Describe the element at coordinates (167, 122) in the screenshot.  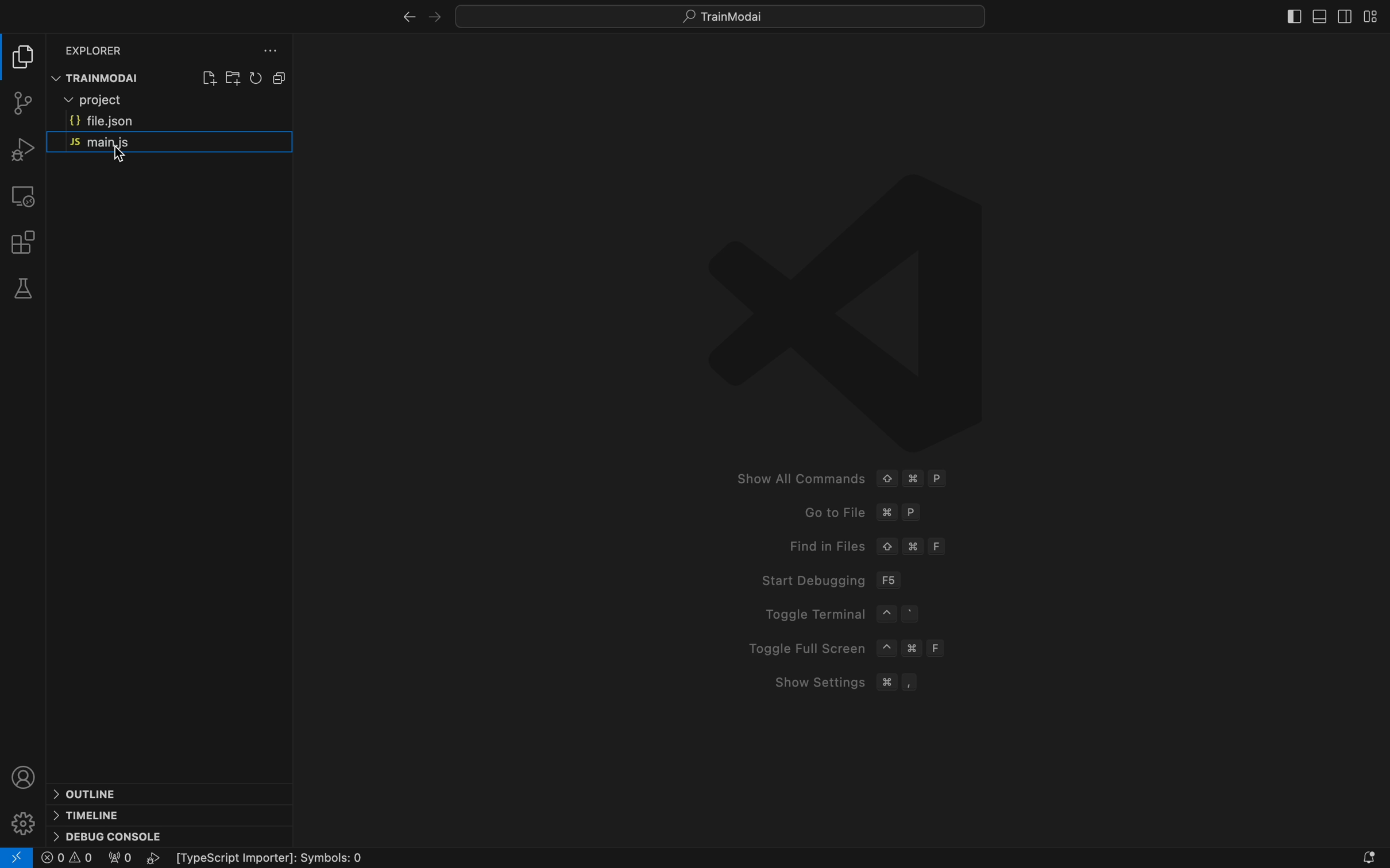
I see `file.json` at that location.